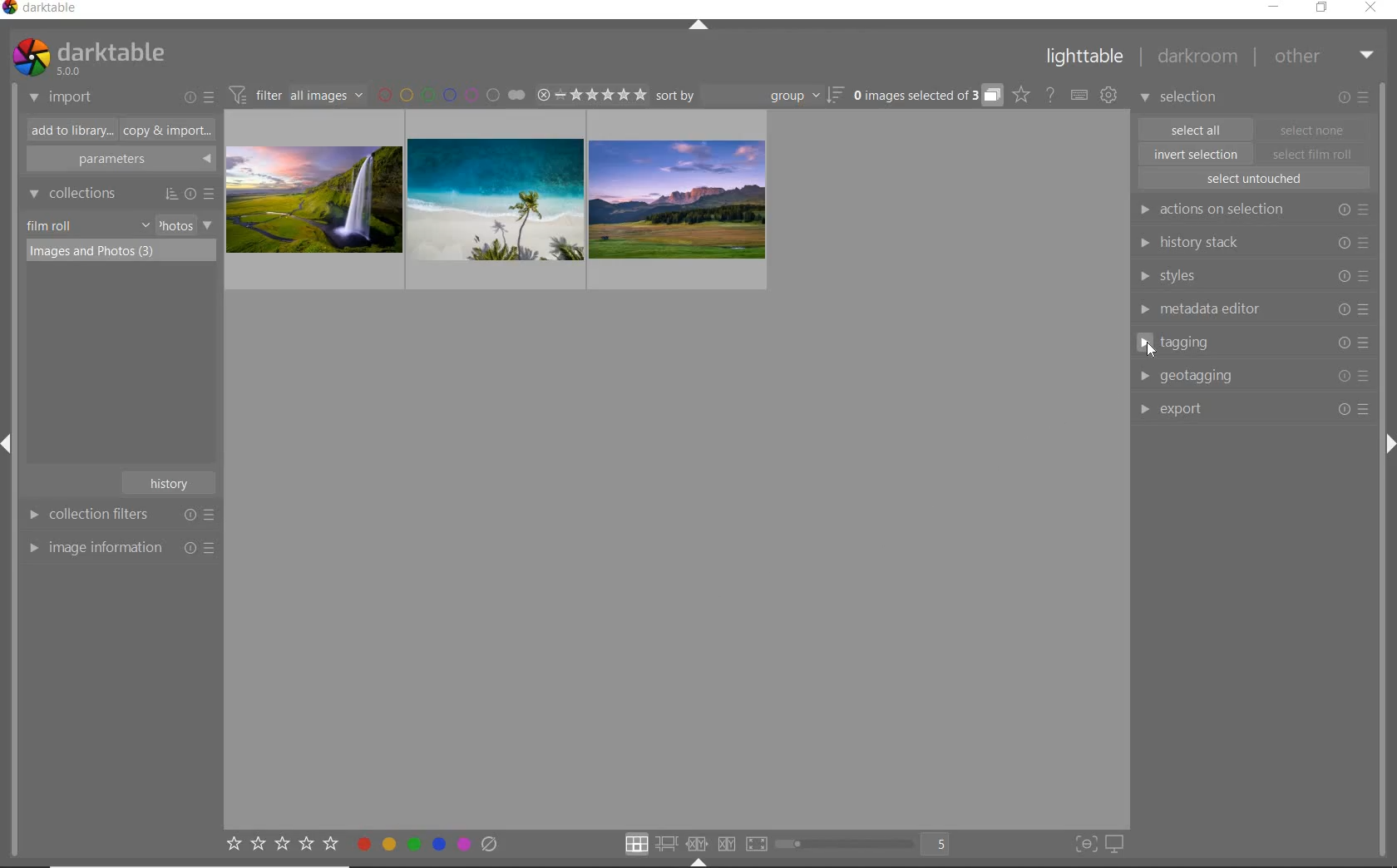 The image size is (1397, 868). I want to click on range ratings of selected images, so click(591, 92).